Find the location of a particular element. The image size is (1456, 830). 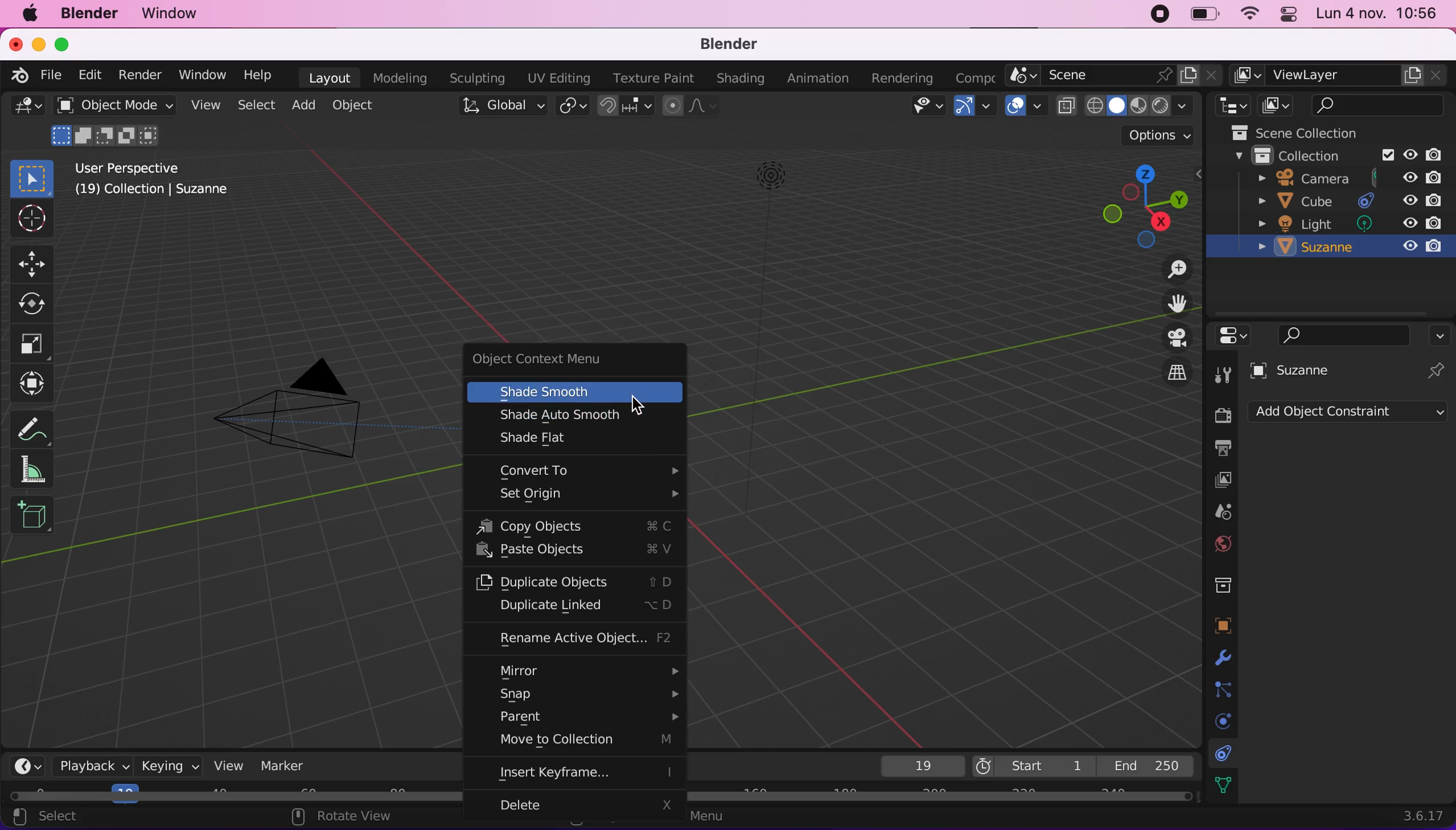

rendering is located at coordinates (903, 75).